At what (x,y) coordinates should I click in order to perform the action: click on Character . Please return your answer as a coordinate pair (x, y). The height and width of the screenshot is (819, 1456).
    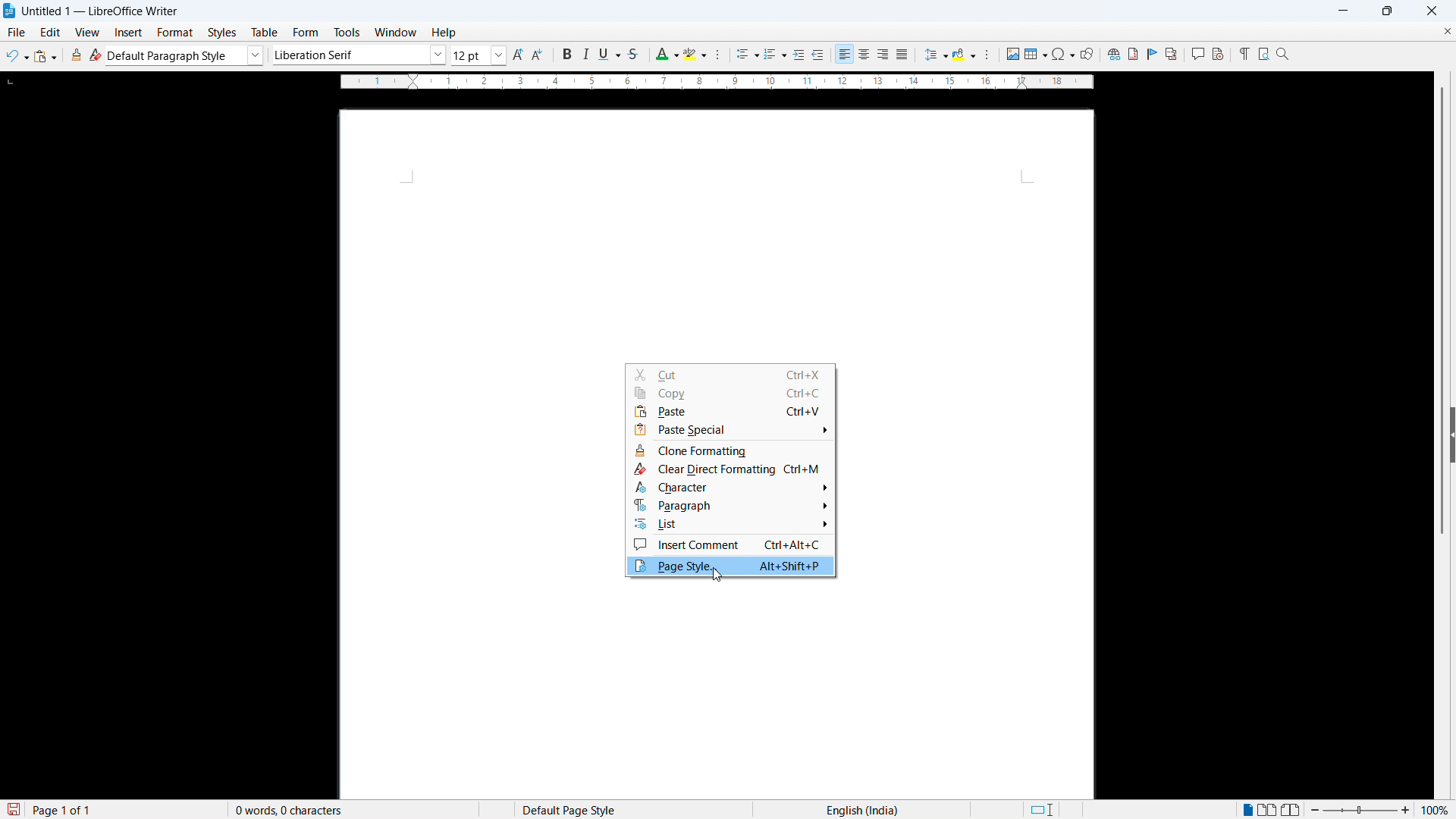
    Looking at the image, I should click on (730, 488).